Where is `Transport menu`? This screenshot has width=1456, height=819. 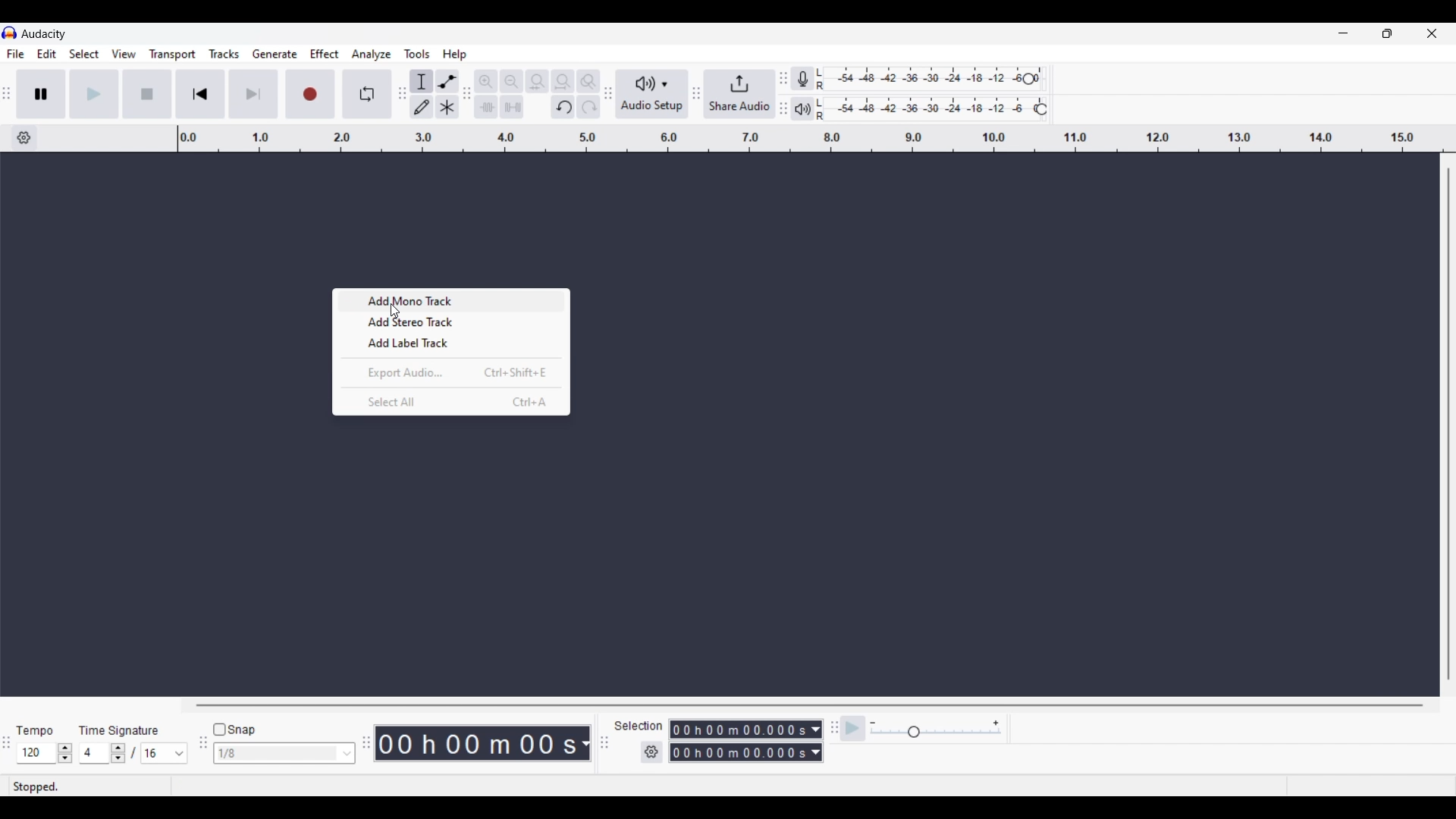
Transport menu is located at coordinates (173, 54).